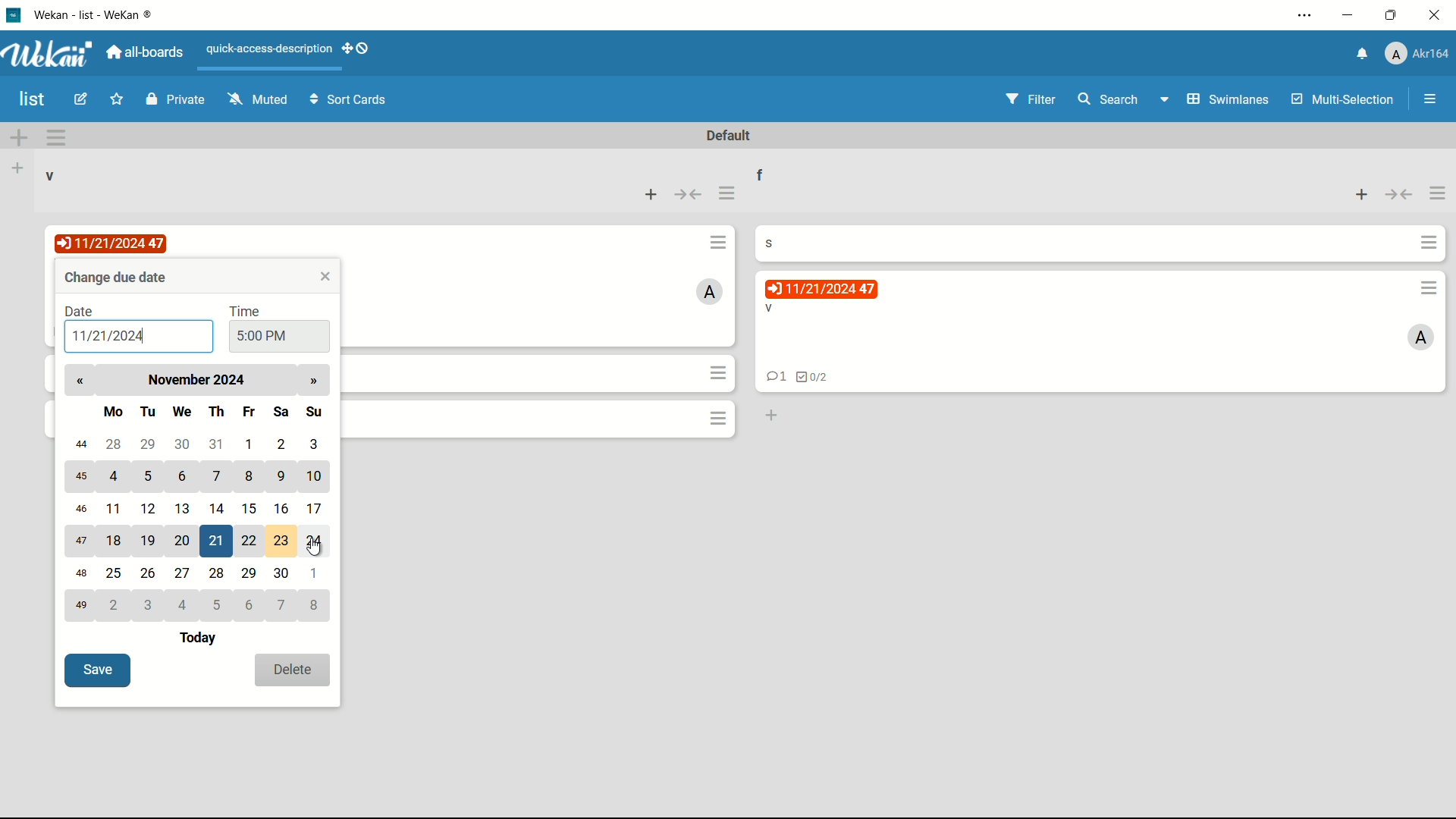  Describe the element at coordinates (218, 542) in the screenshot. I see `21` at that location.